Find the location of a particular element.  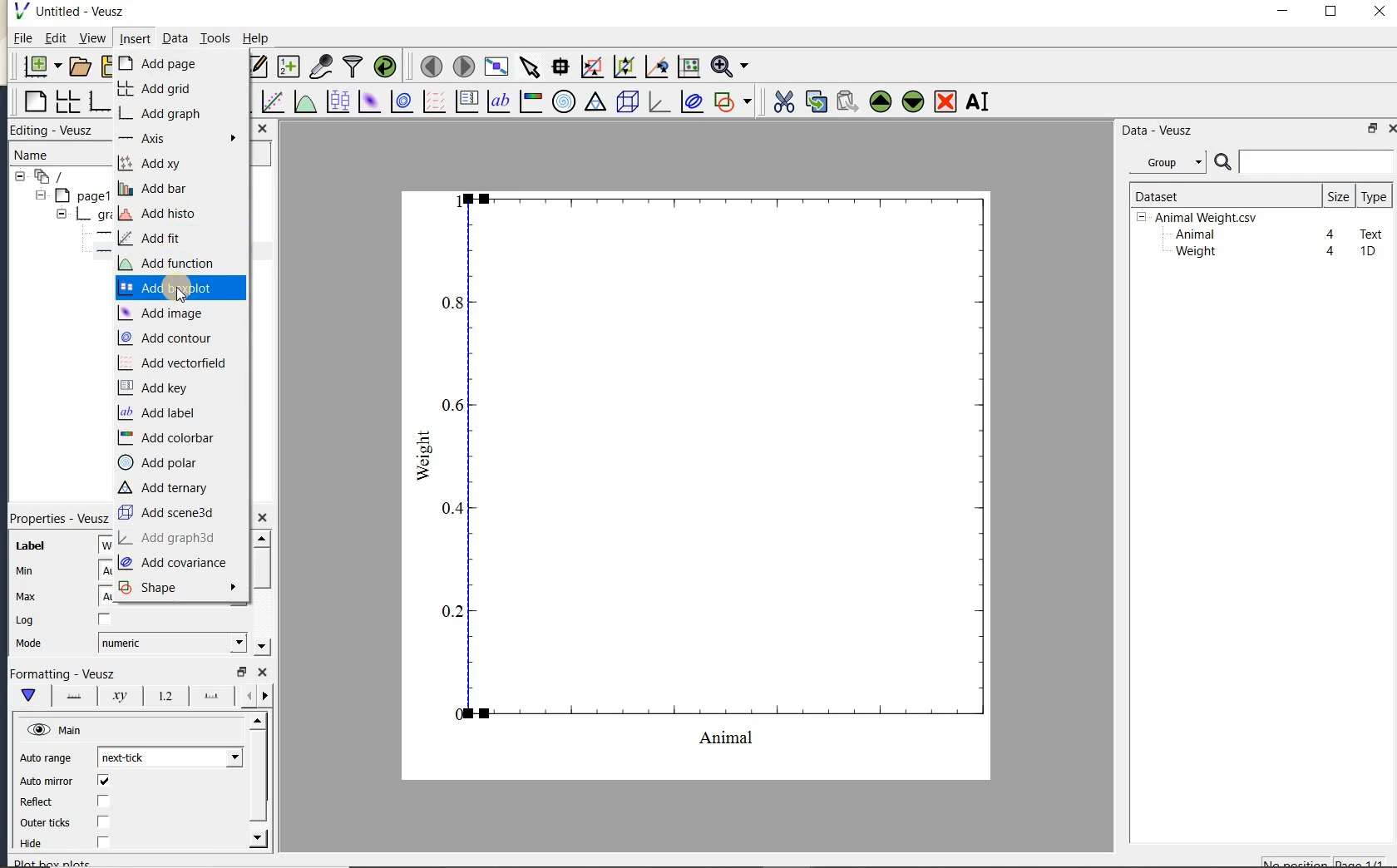

Untitled-Veusz is located at coordinates (74, 12).